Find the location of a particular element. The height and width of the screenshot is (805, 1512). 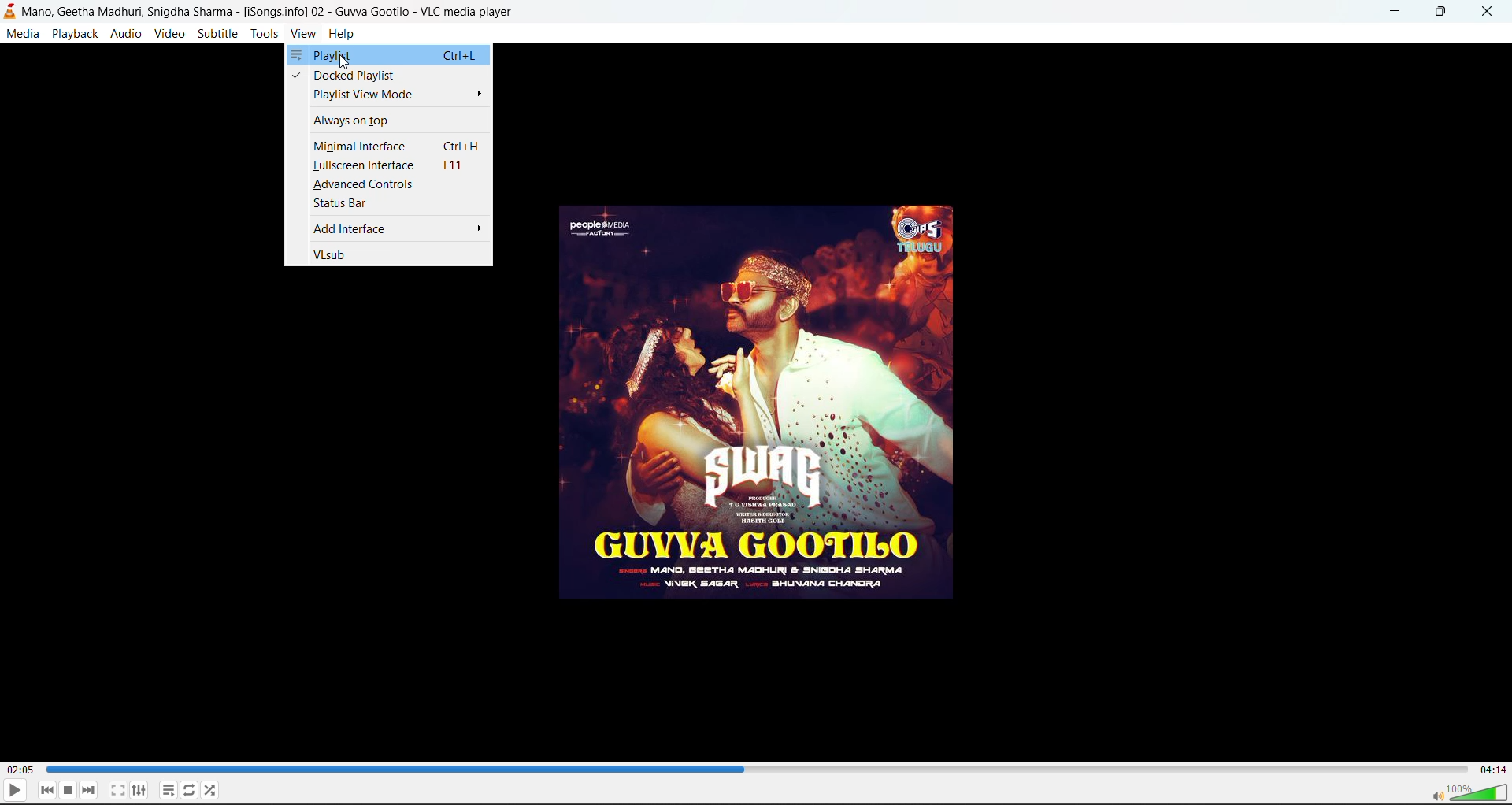

random is located at coordinates (211, 789).